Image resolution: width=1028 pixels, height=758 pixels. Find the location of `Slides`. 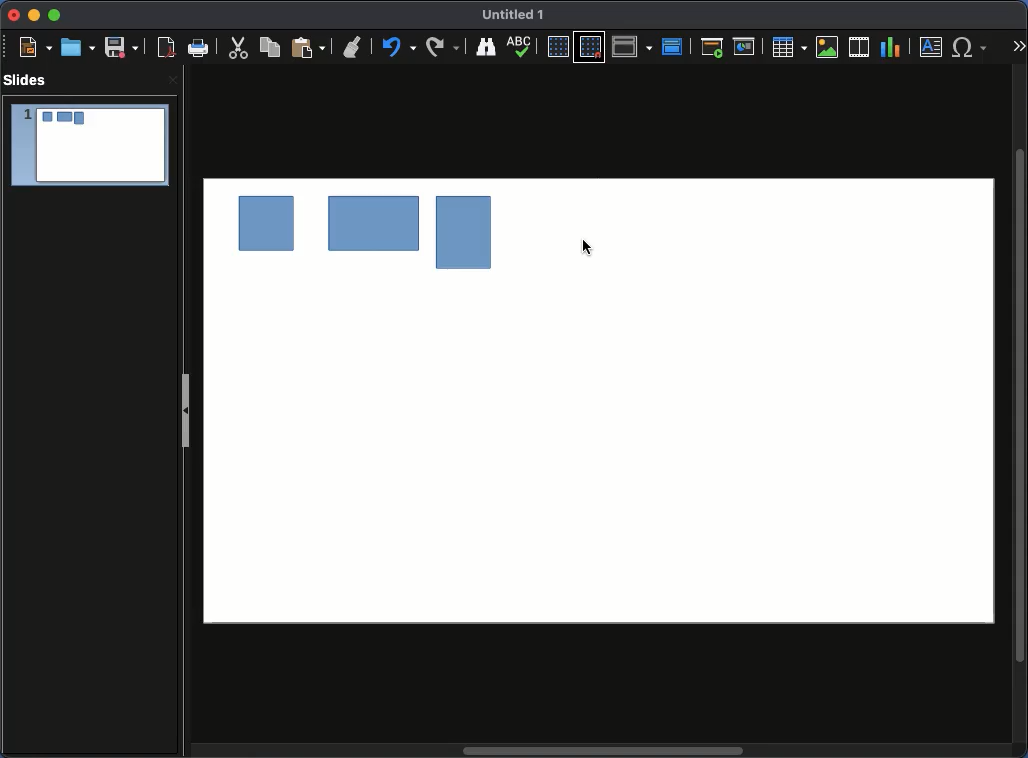

Slides is located at coordinates (27, 79).